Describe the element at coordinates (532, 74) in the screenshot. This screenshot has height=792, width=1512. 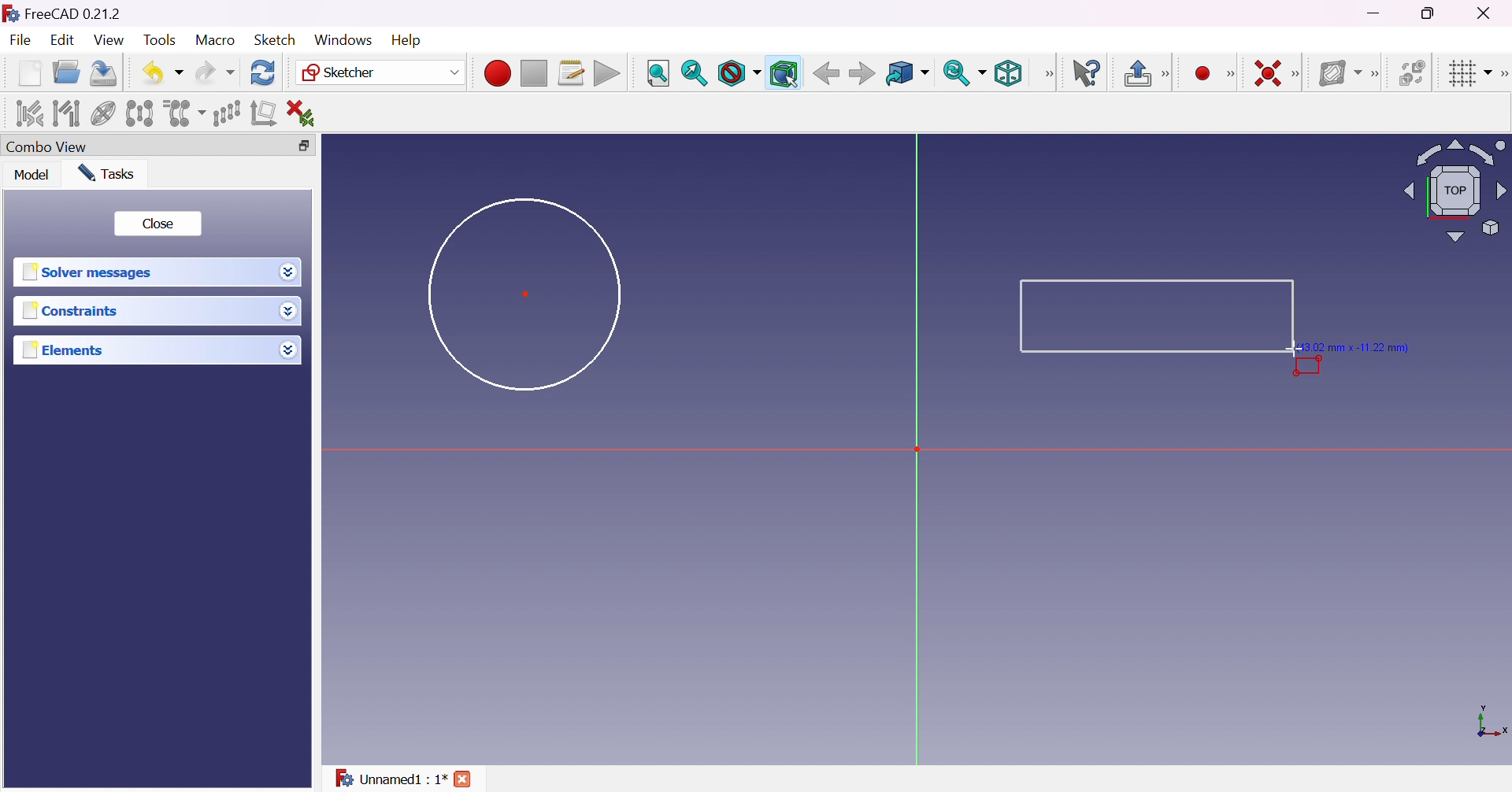
I see `Stop macro recording` at that location.